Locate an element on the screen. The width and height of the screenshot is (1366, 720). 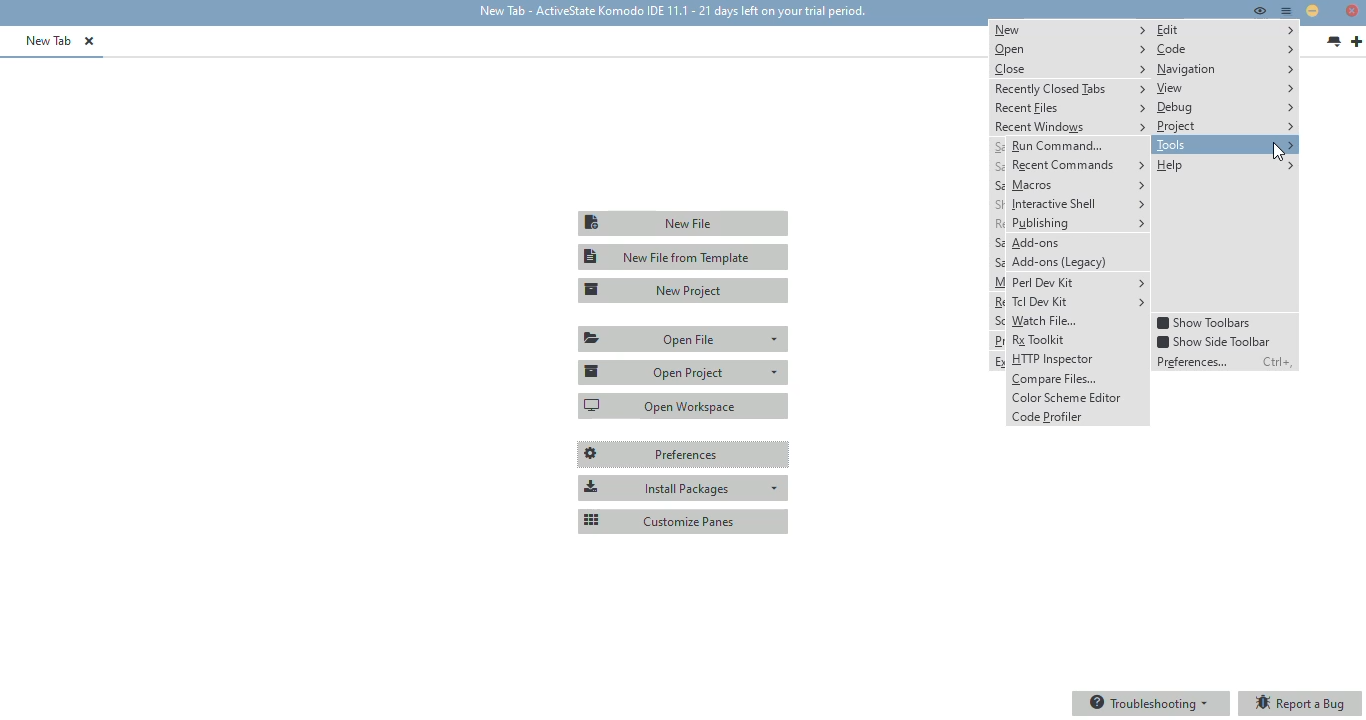
open workspace is located at coordinates (684, 405).